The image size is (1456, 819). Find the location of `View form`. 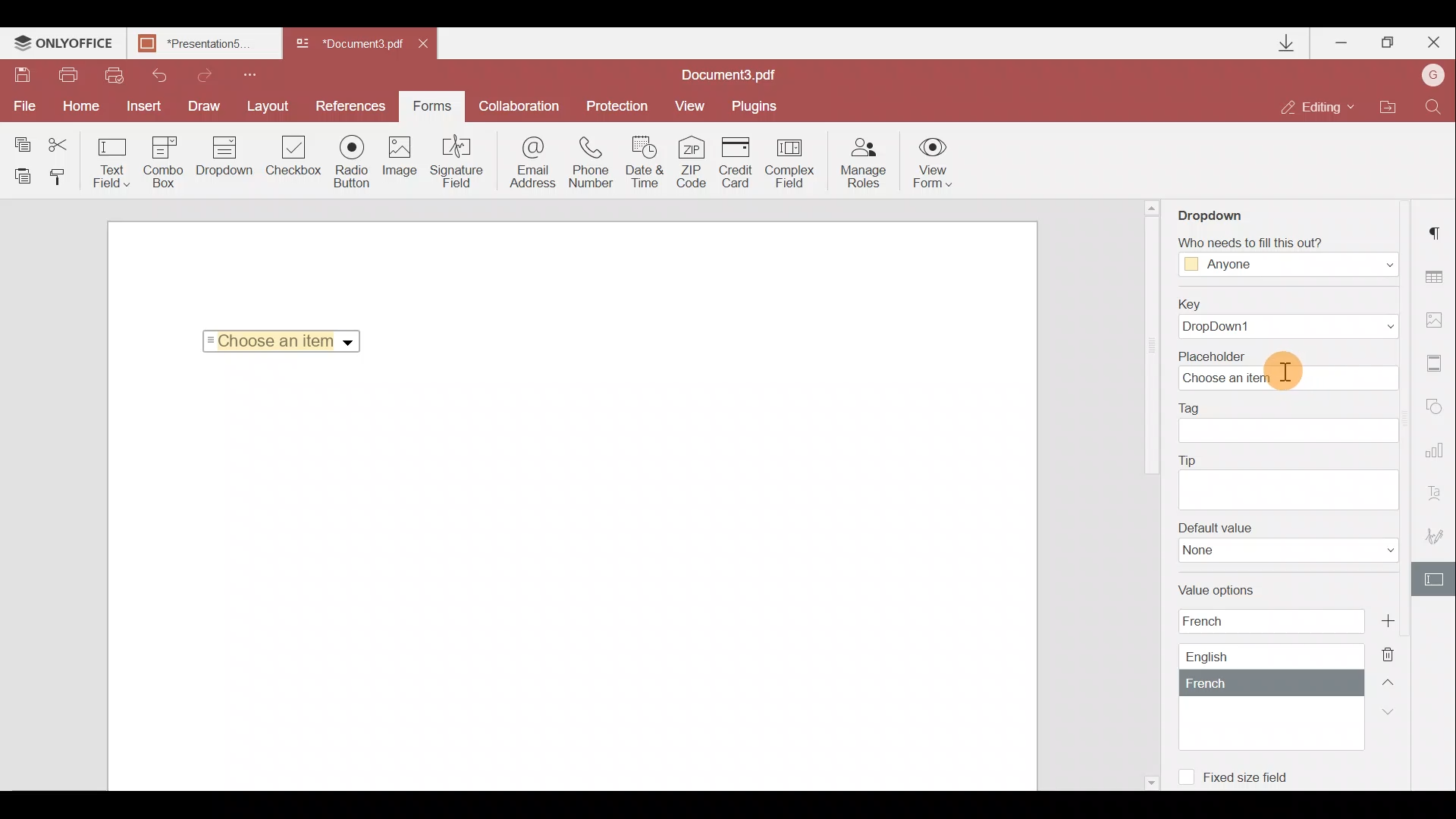

View form is located at coordinates (934, 162).